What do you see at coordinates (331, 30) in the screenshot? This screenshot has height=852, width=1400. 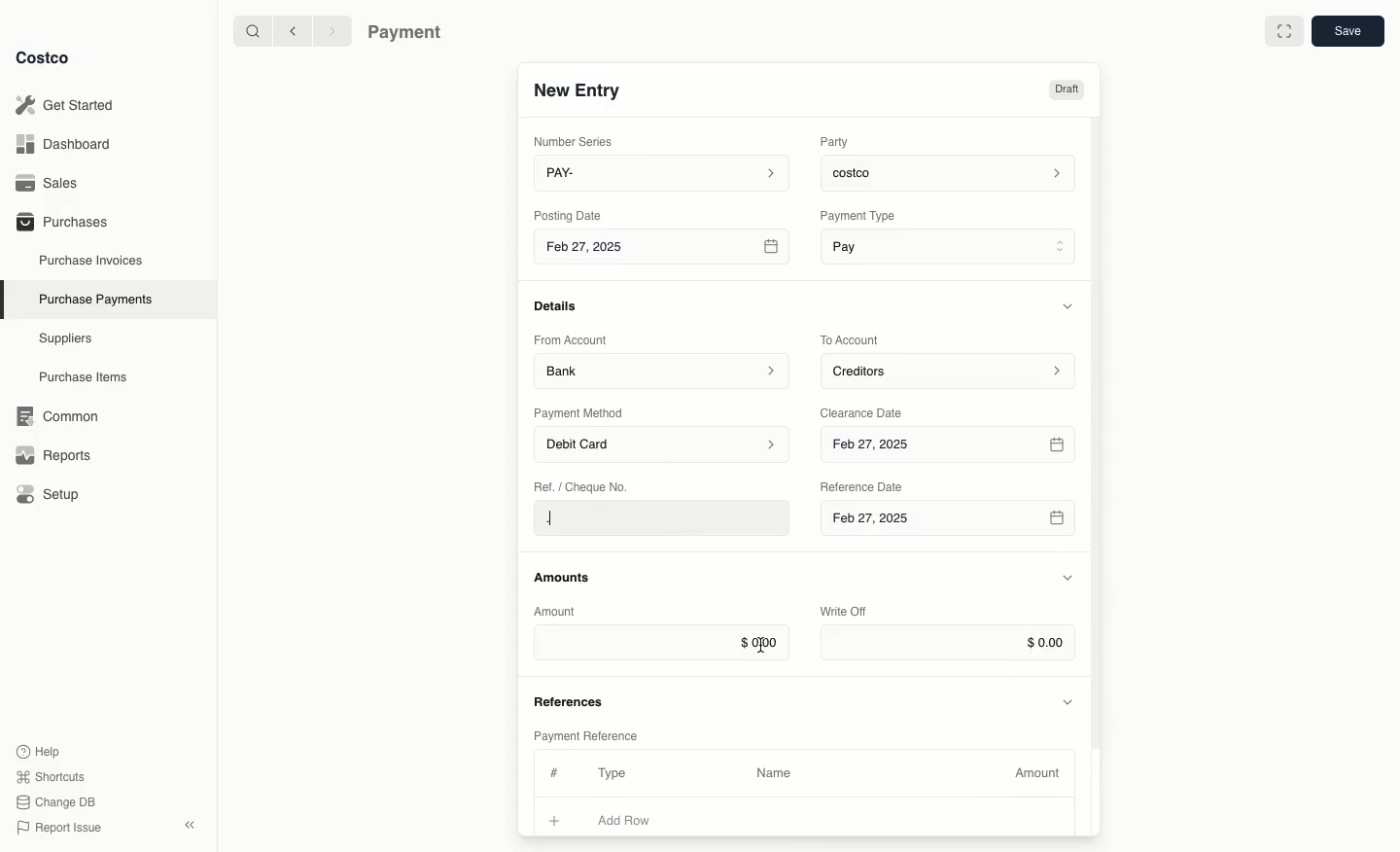 I see `Forward` at bounding box center [331, 30].